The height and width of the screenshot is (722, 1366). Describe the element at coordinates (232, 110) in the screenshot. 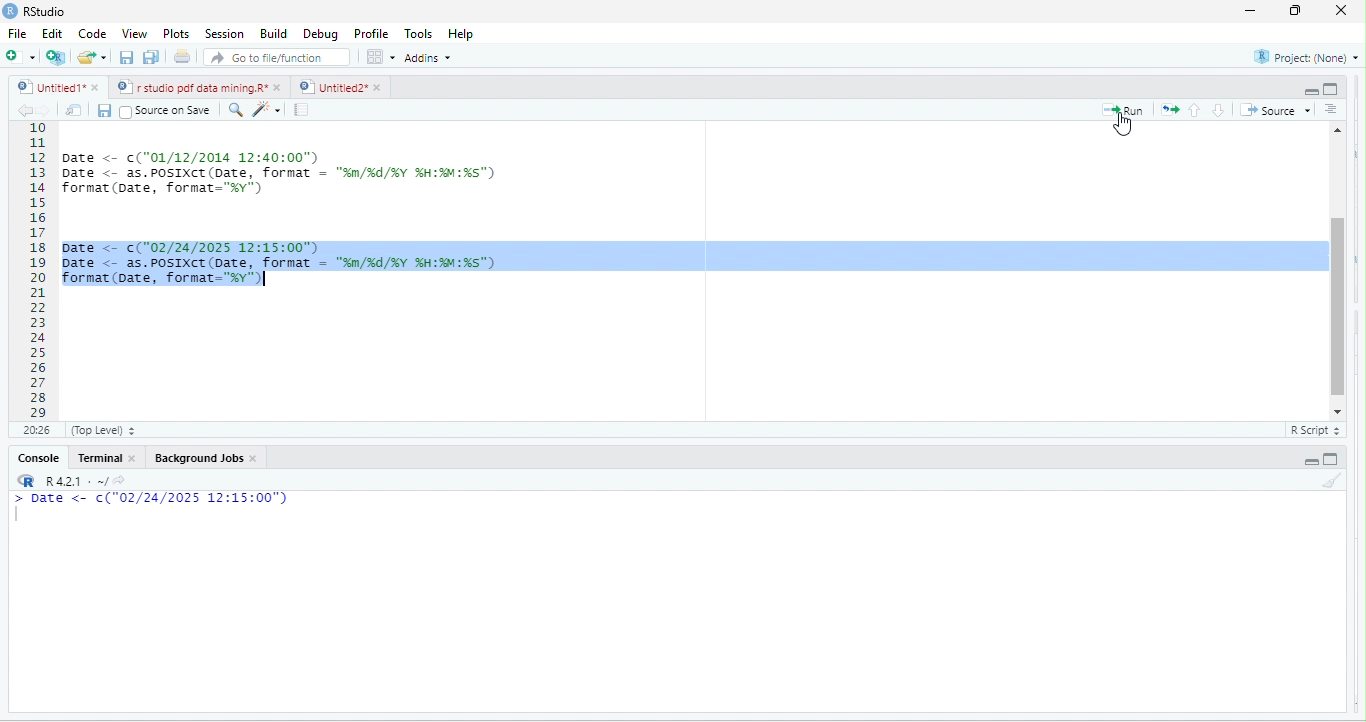

I see `find/ replace` at that location.